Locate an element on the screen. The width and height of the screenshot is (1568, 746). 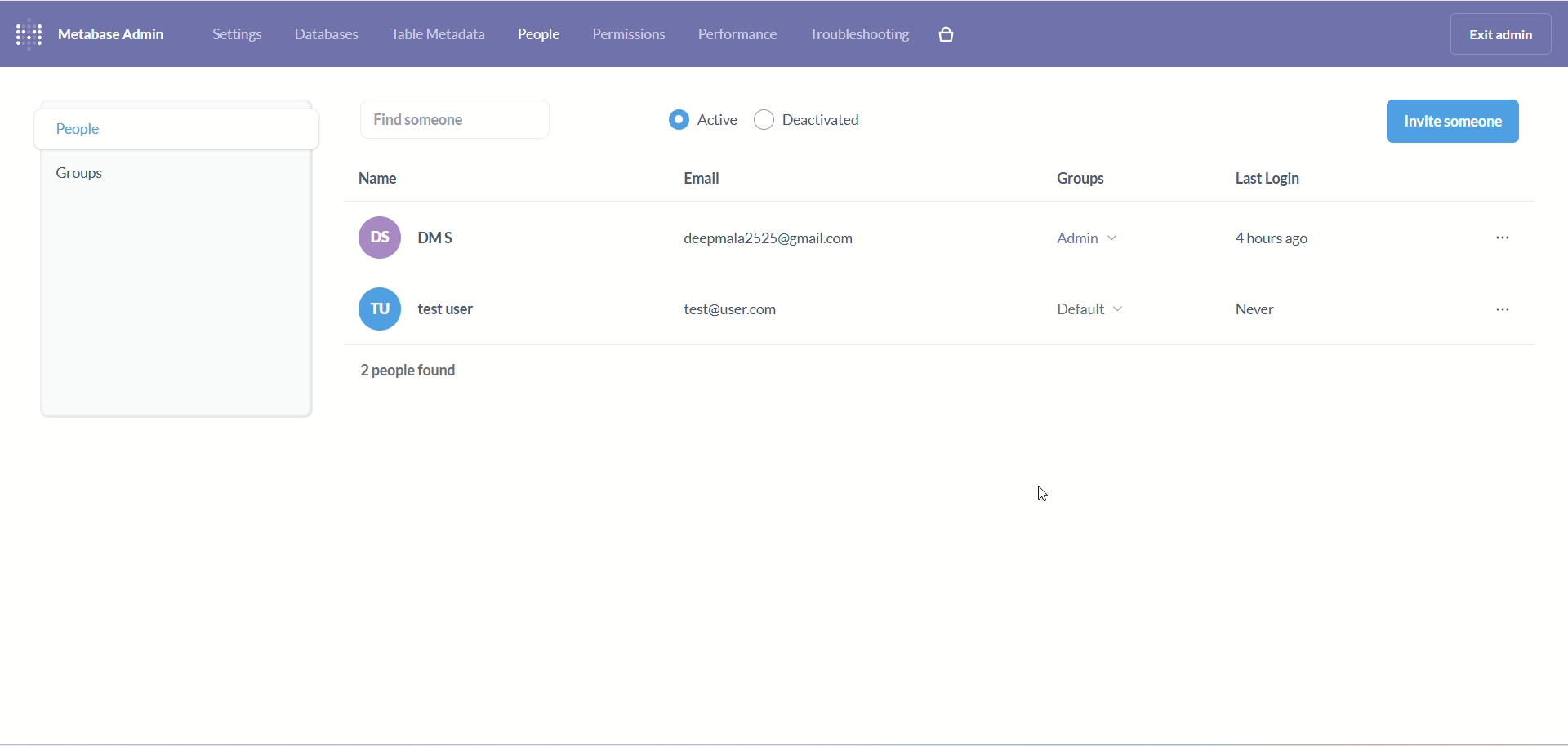
(os) DMS deepmala2525@gmail.com Admin v 4 hours ago is located at coordinates (835, 238).